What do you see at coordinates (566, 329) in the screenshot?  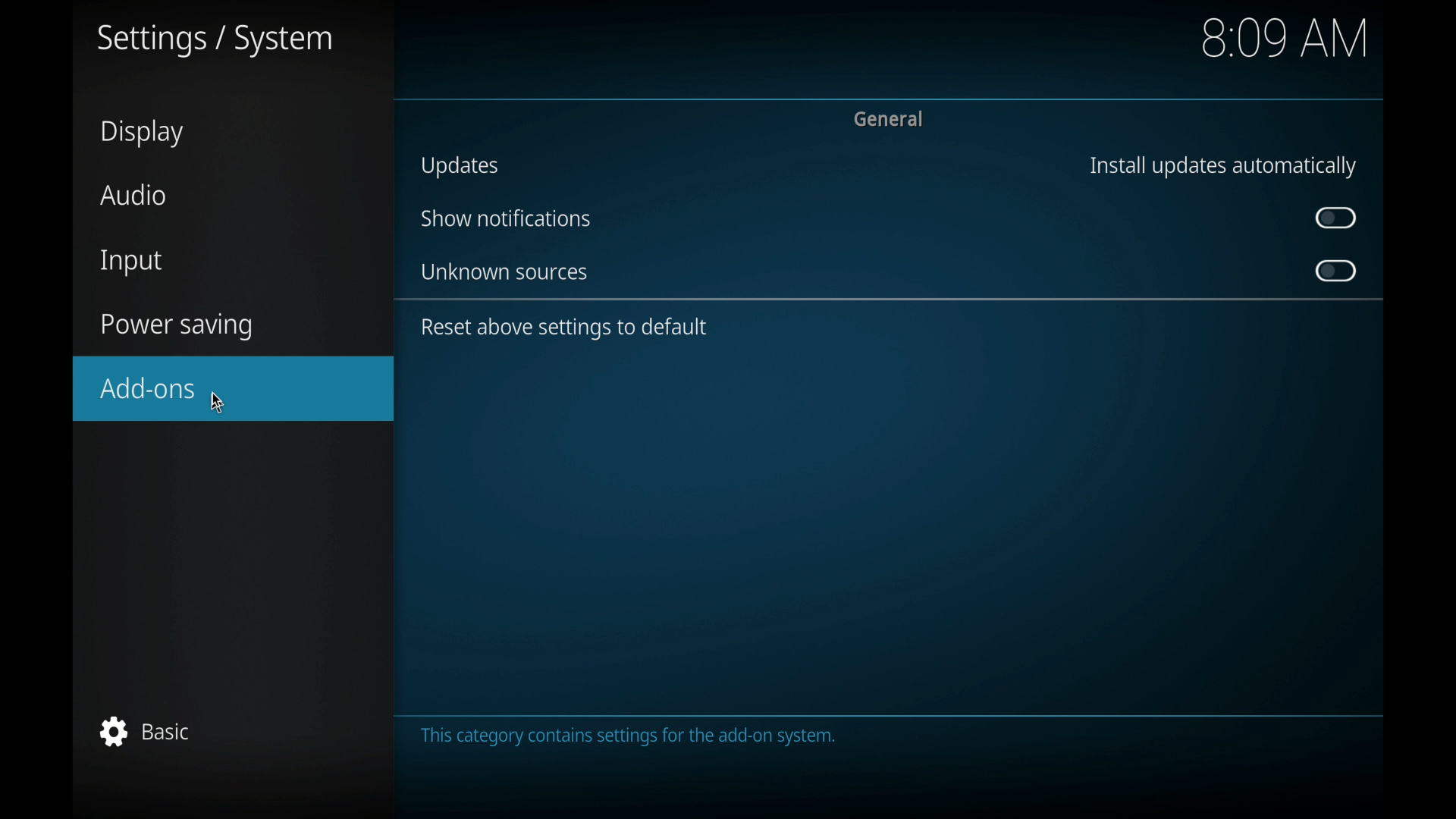 I see `reset above settings to default` at bounding box center [566, 329].